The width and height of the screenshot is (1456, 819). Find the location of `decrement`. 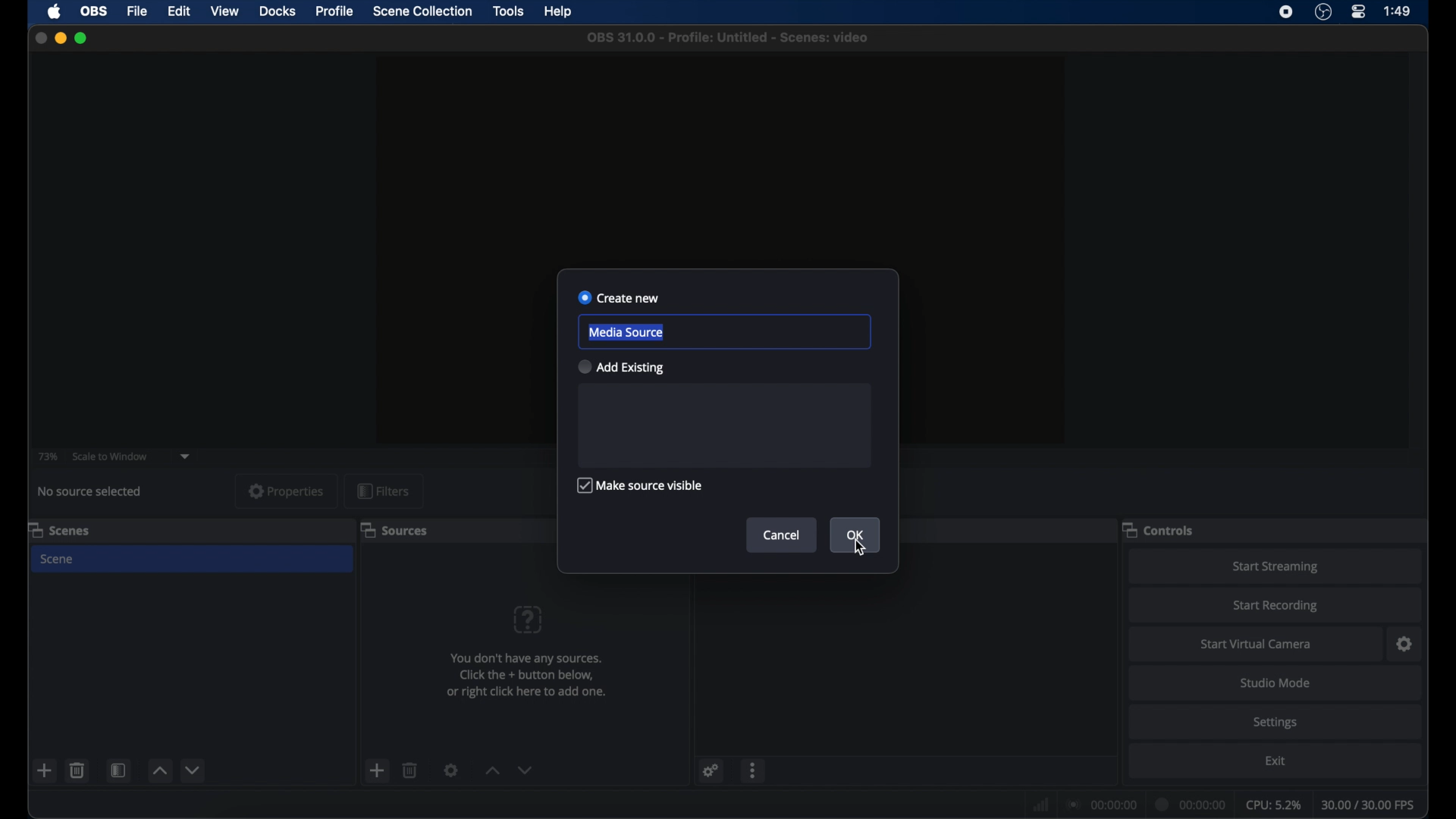

decrement is located at coordinates (194, 769).